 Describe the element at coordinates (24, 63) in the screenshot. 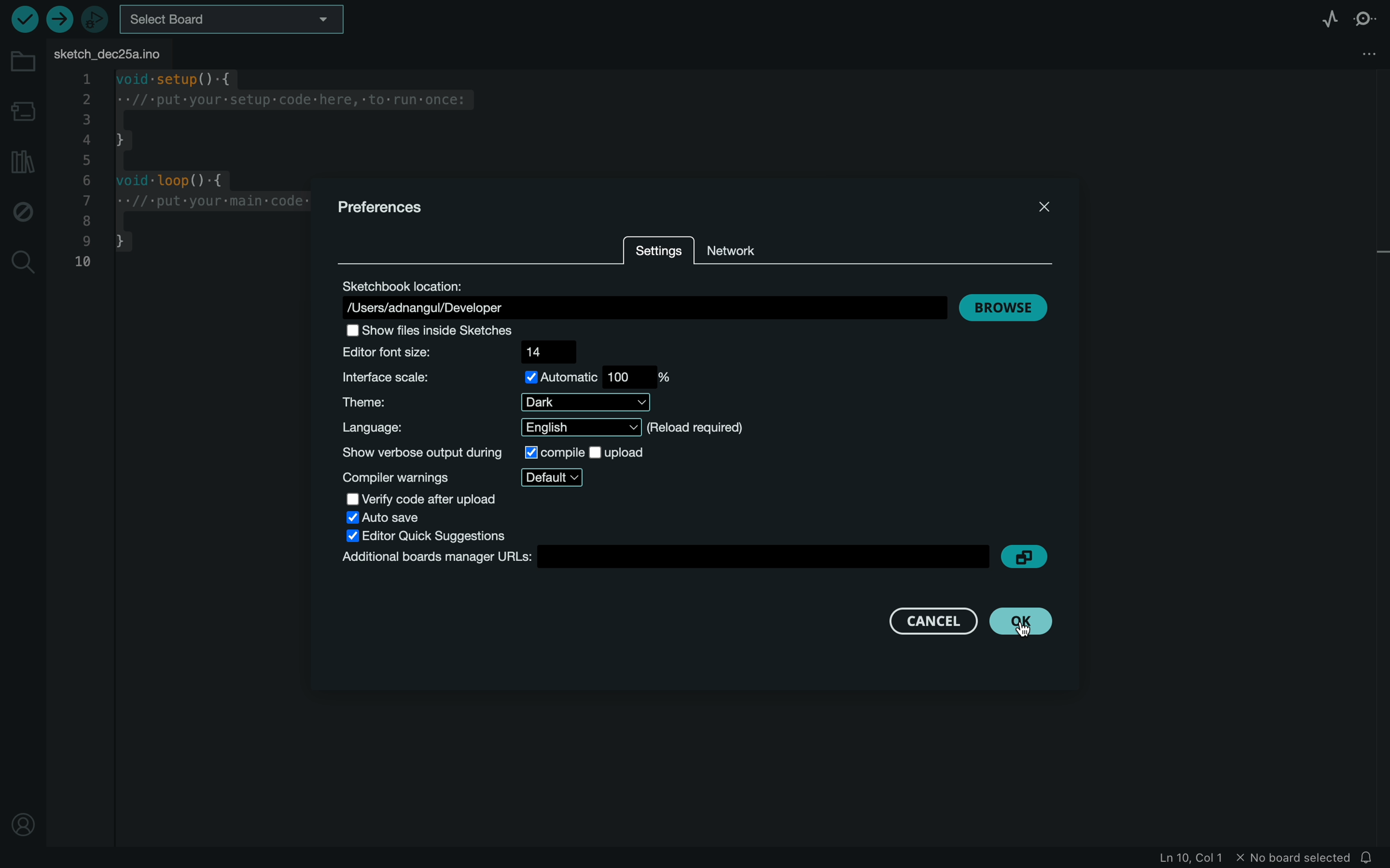

I see `folder` at that location.